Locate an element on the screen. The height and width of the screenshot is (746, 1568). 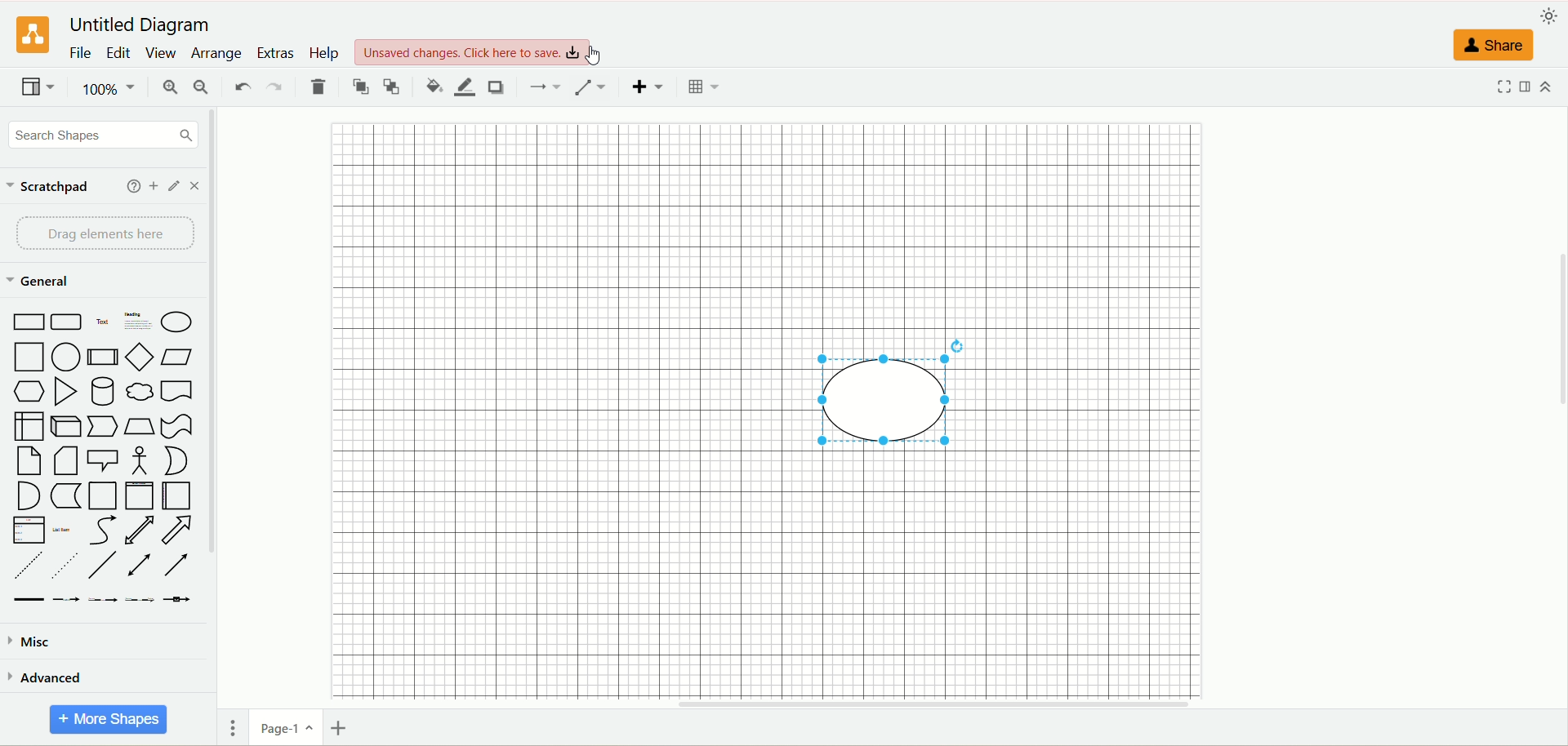
fullscreen is located at coordinates (1503, 91).